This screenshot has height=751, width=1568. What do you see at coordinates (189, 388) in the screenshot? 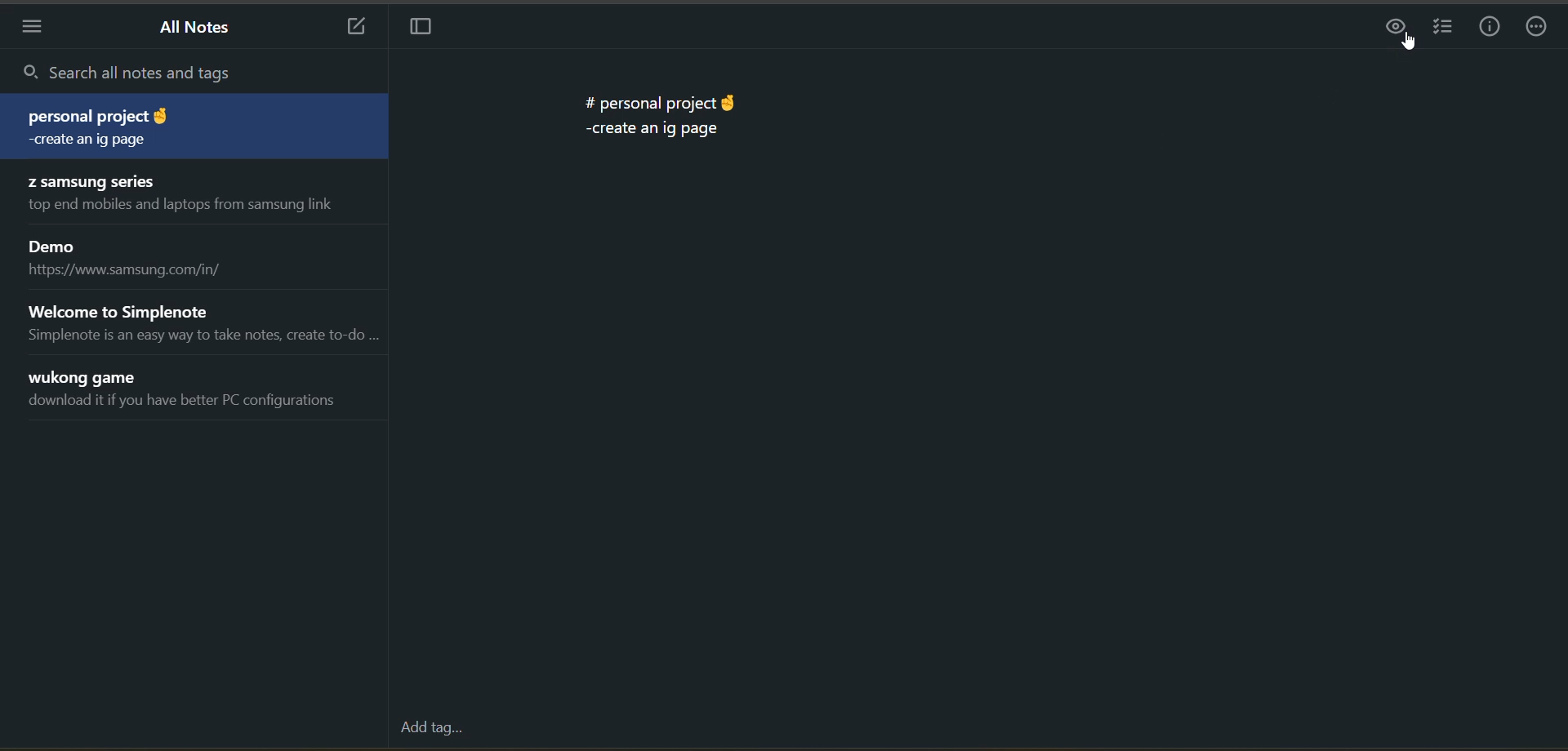
I see `note title and preview` at bounding box center [189, 388].